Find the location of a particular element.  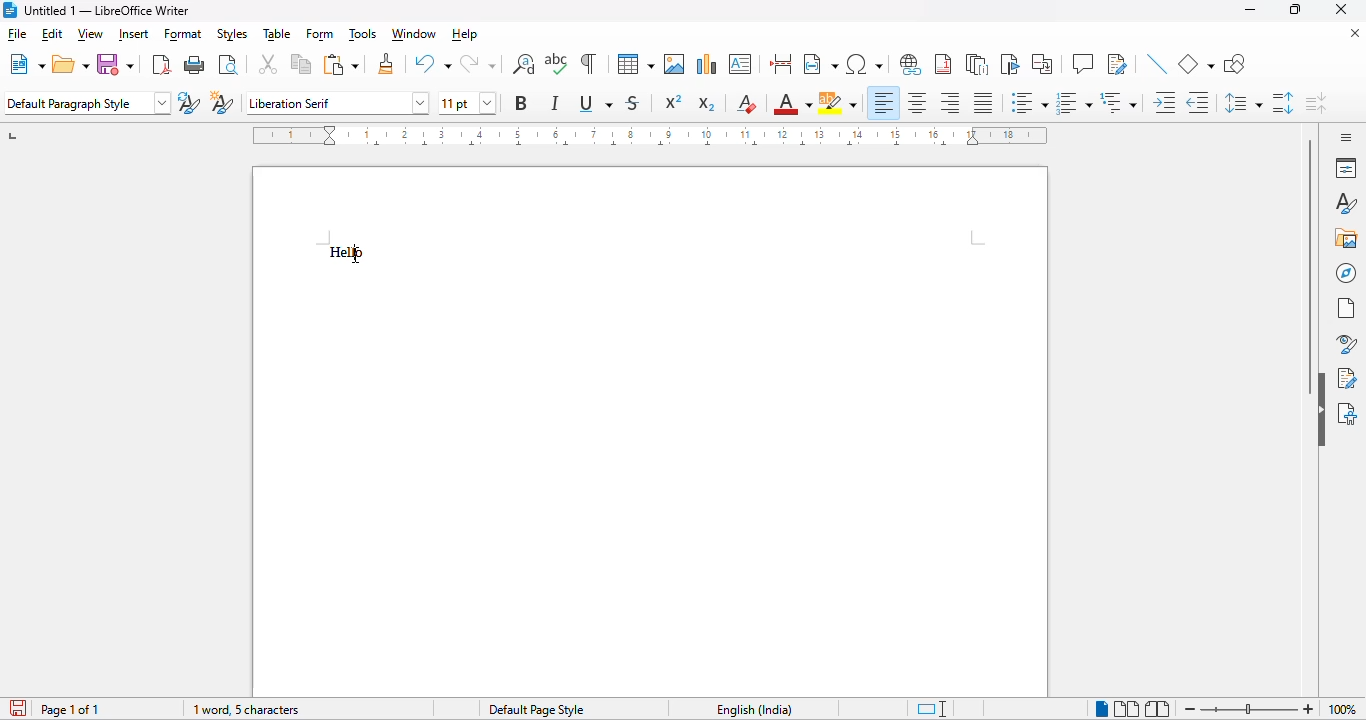

zoom in is located at coordinates (1307, 708).